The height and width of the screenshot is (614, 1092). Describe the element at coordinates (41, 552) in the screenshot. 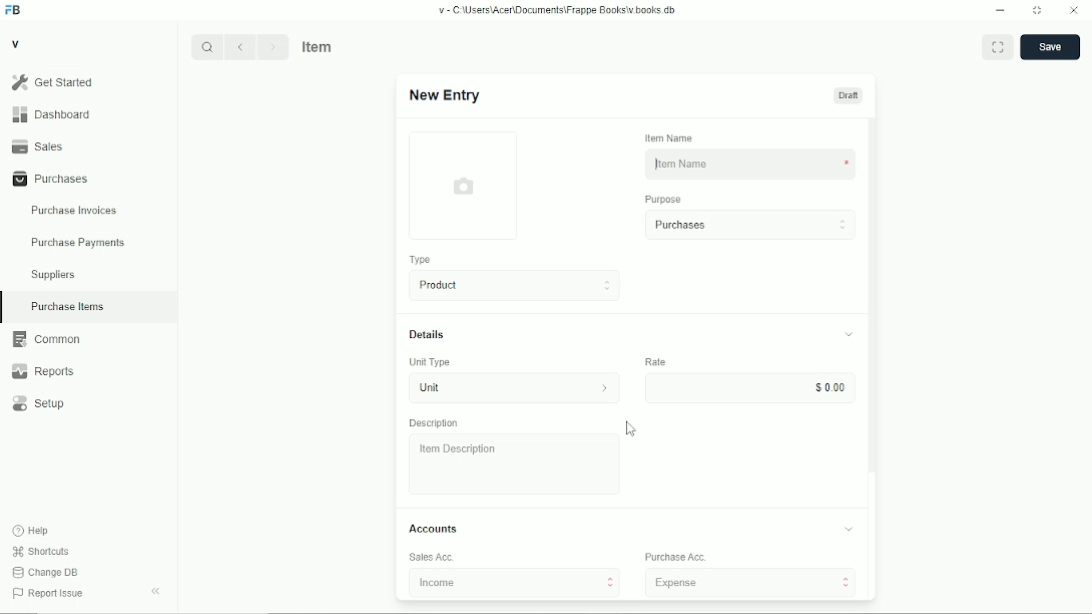

I see `shortcuts` at that location.